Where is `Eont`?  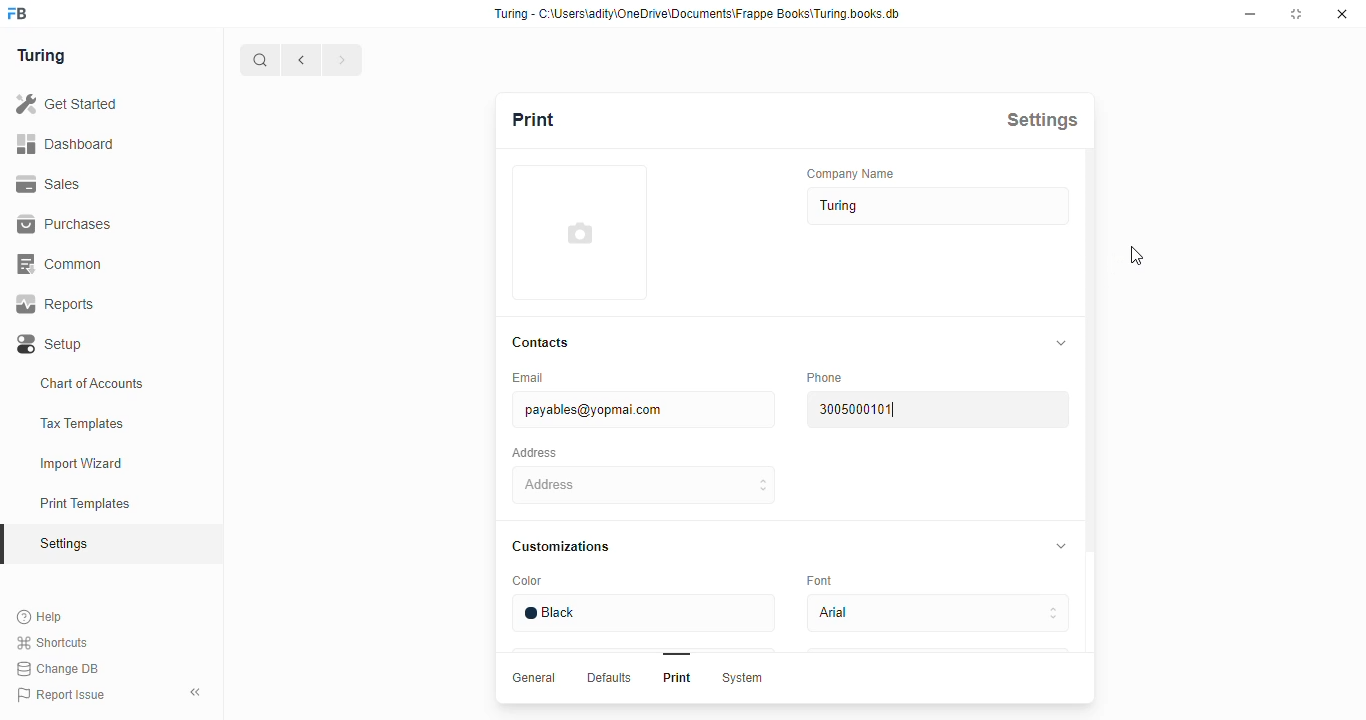 Eont is located at coordinates (822, 578).